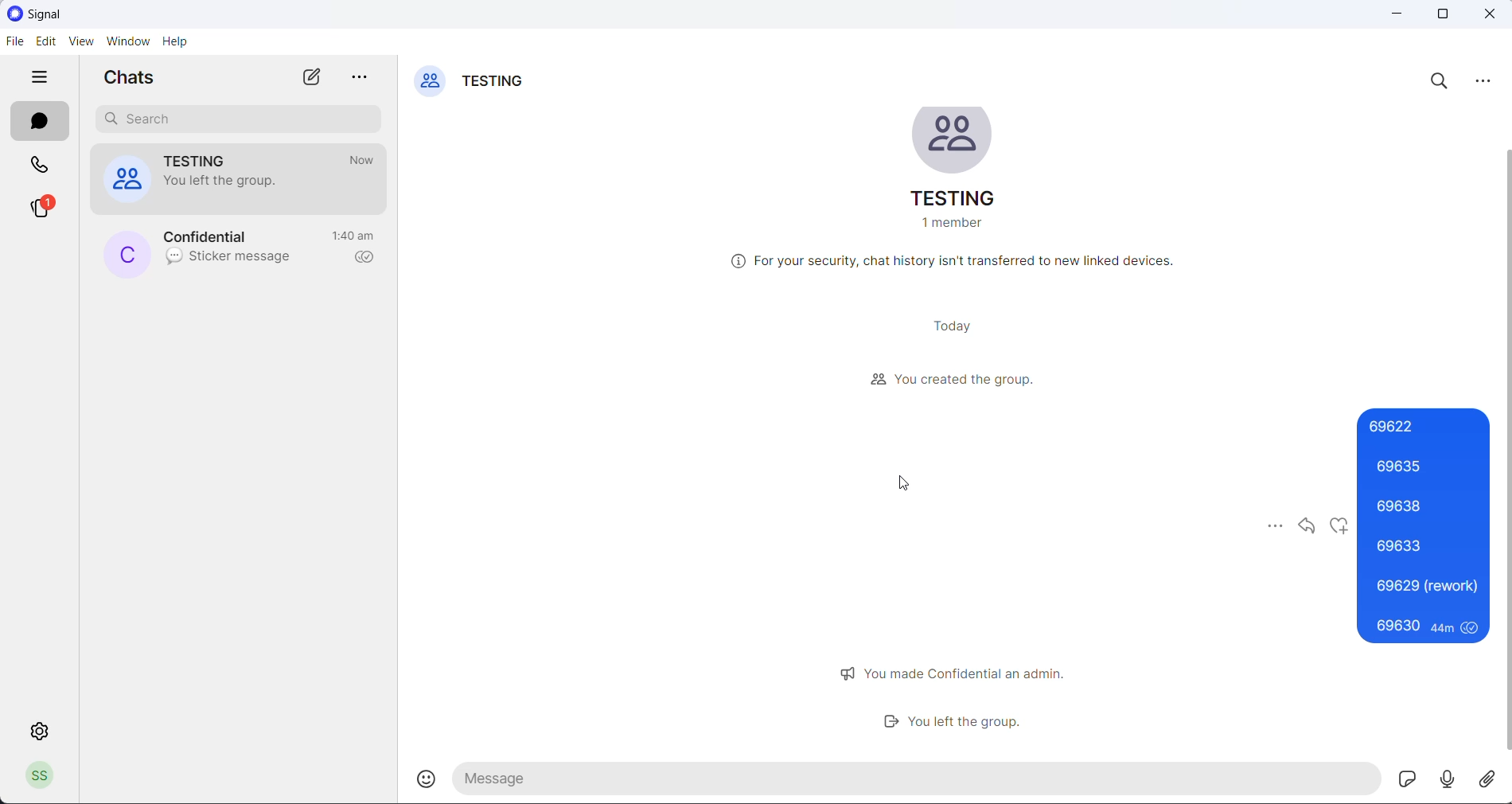 Image resolution: width=1512 pixels, height=804 pixels. What do you see at coordinates (125, 181) in the screenshot?
I see `group cover photo` at bounding box center [125, 181].